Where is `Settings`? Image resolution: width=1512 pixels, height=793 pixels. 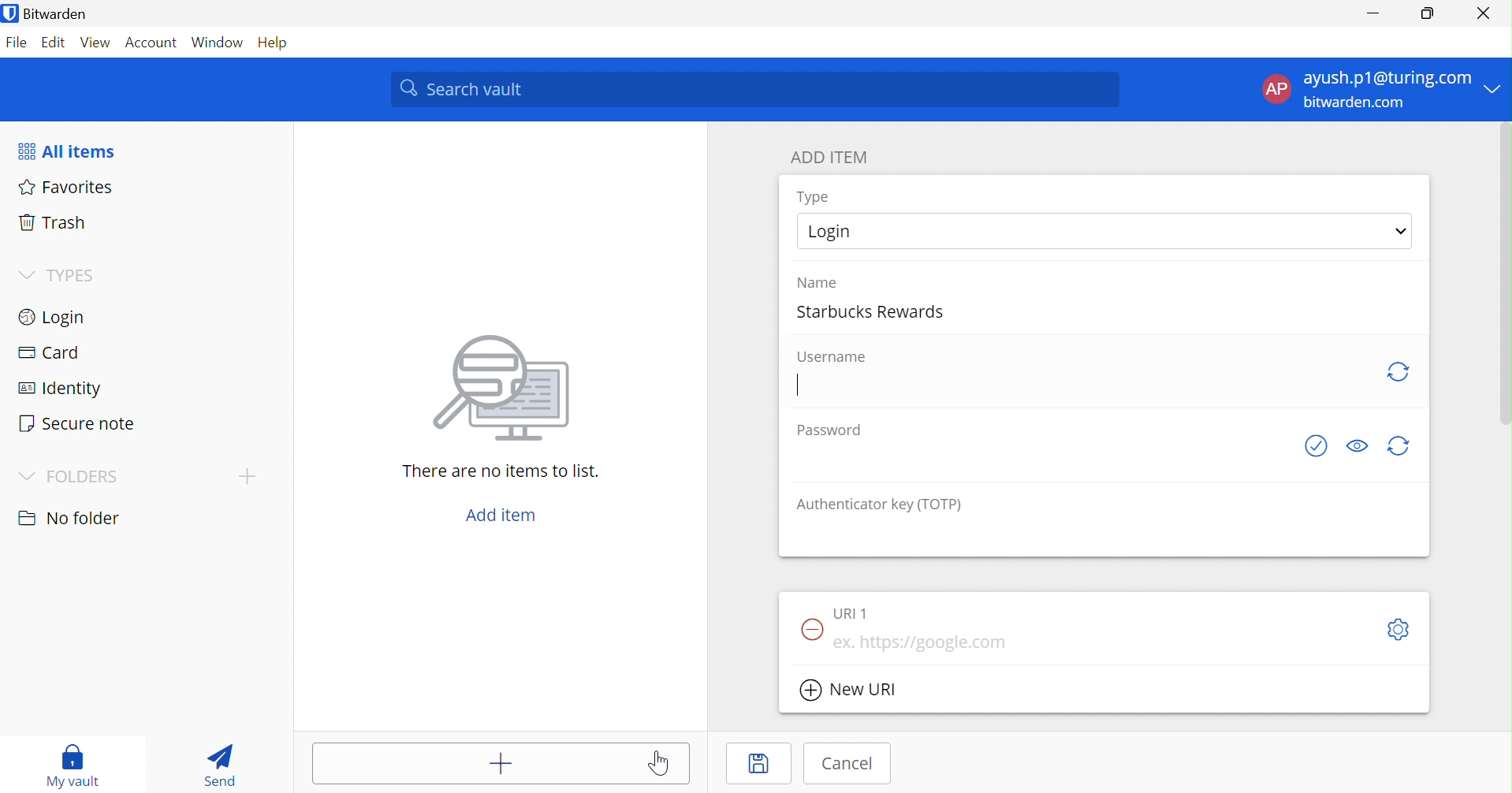
Settings is located at coordinates (1399, 629).